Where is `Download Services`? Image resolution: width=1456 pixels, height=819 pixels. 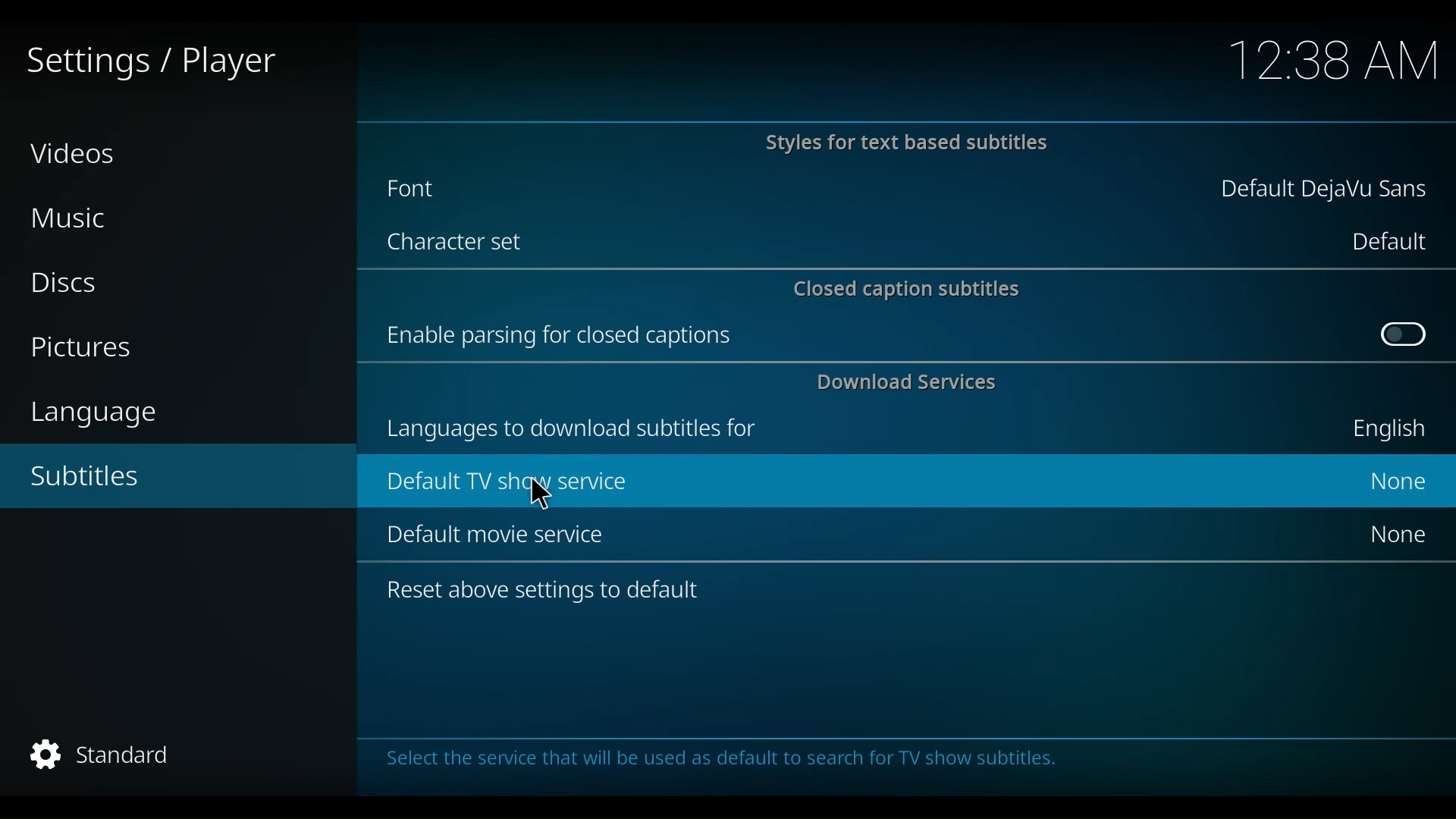 Download Services is located at coordinates (911, 382).